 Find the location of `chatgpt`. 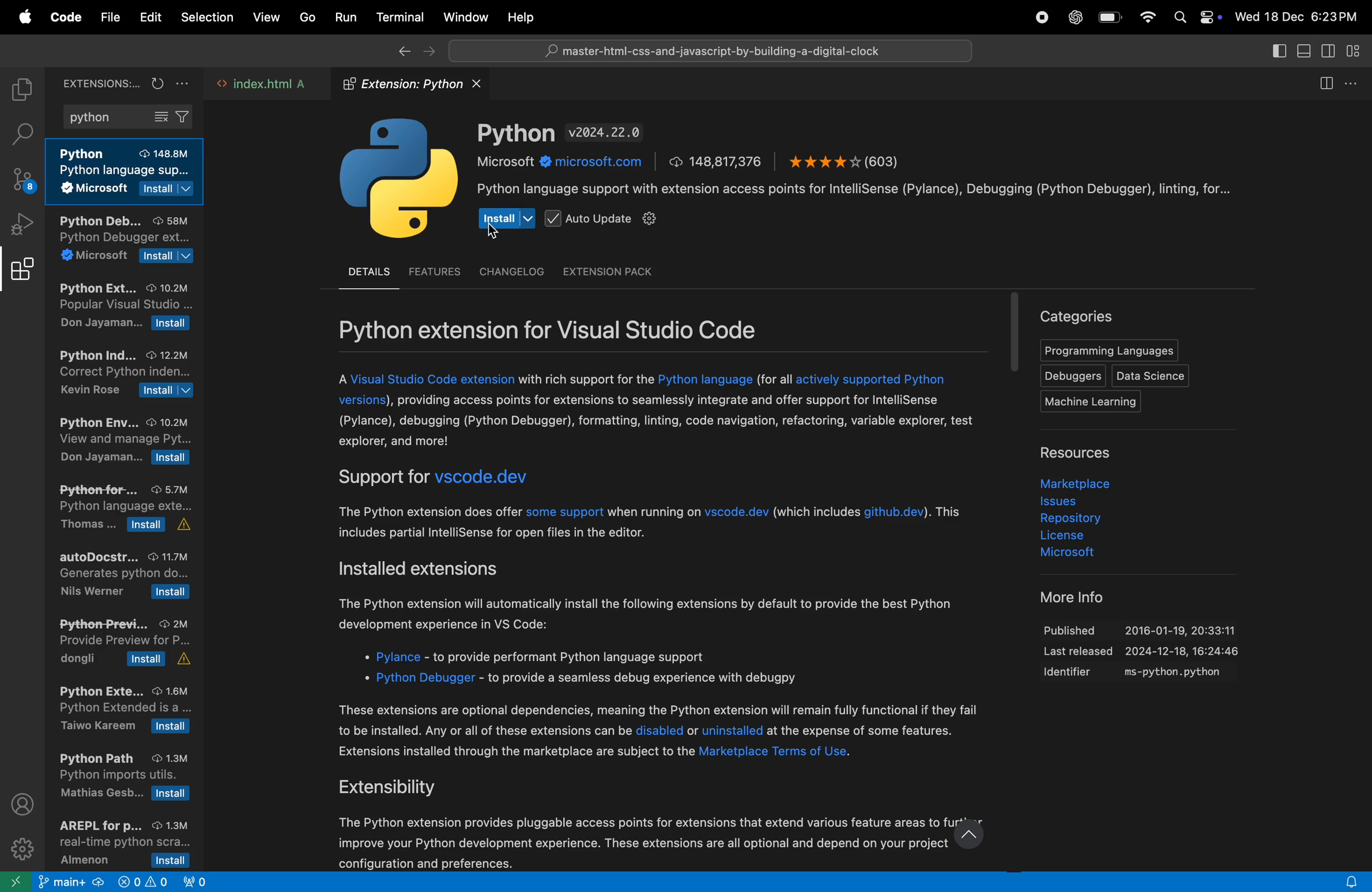

chatgpt is located at coordinates (1073, 17).